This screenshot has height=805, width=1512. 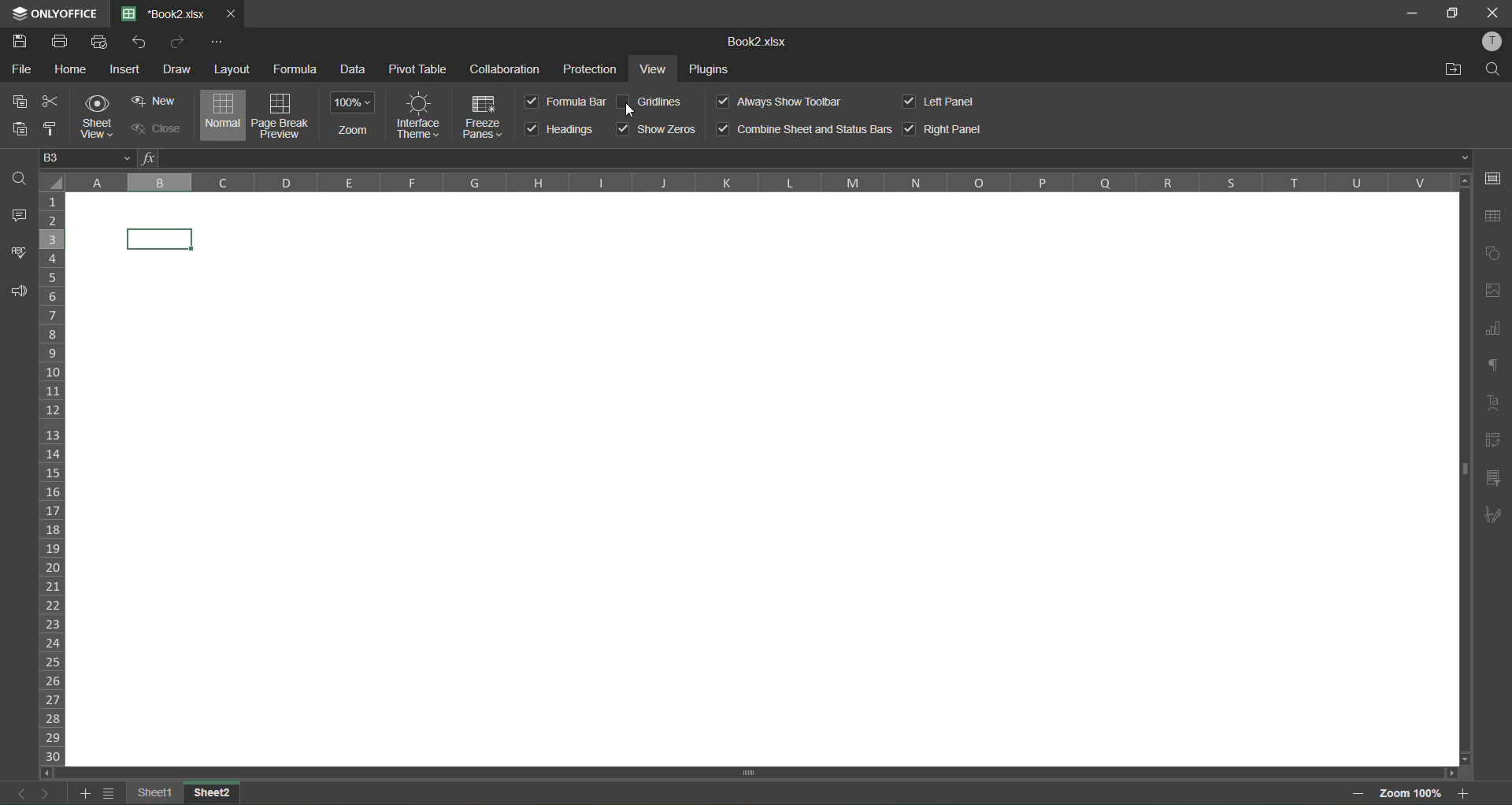 What do you see at coordinates (154, 127) in the screenshot?
I see `close` at bounding box center [154, 127].